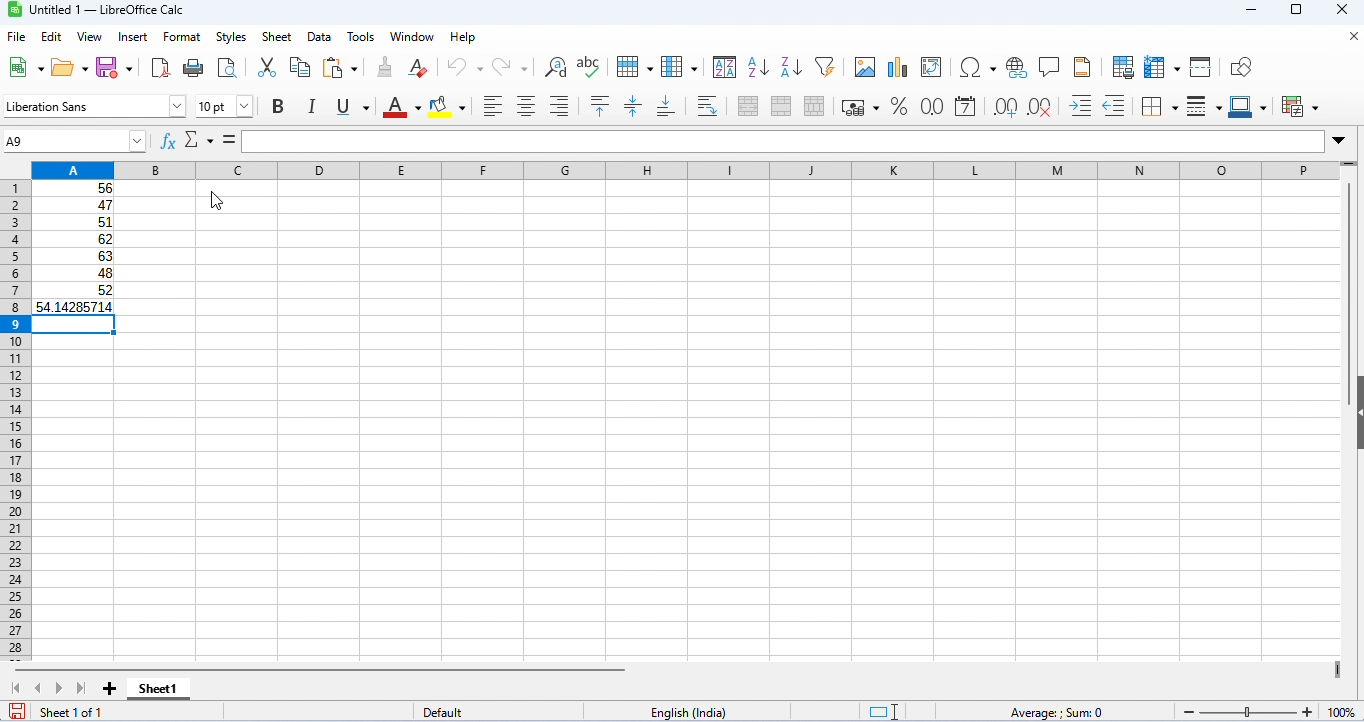 The height and width of the screenshot is (722, 1364). Describe the element at coordinates (1055, 713) in the screenshot. I see `formula` at that location.